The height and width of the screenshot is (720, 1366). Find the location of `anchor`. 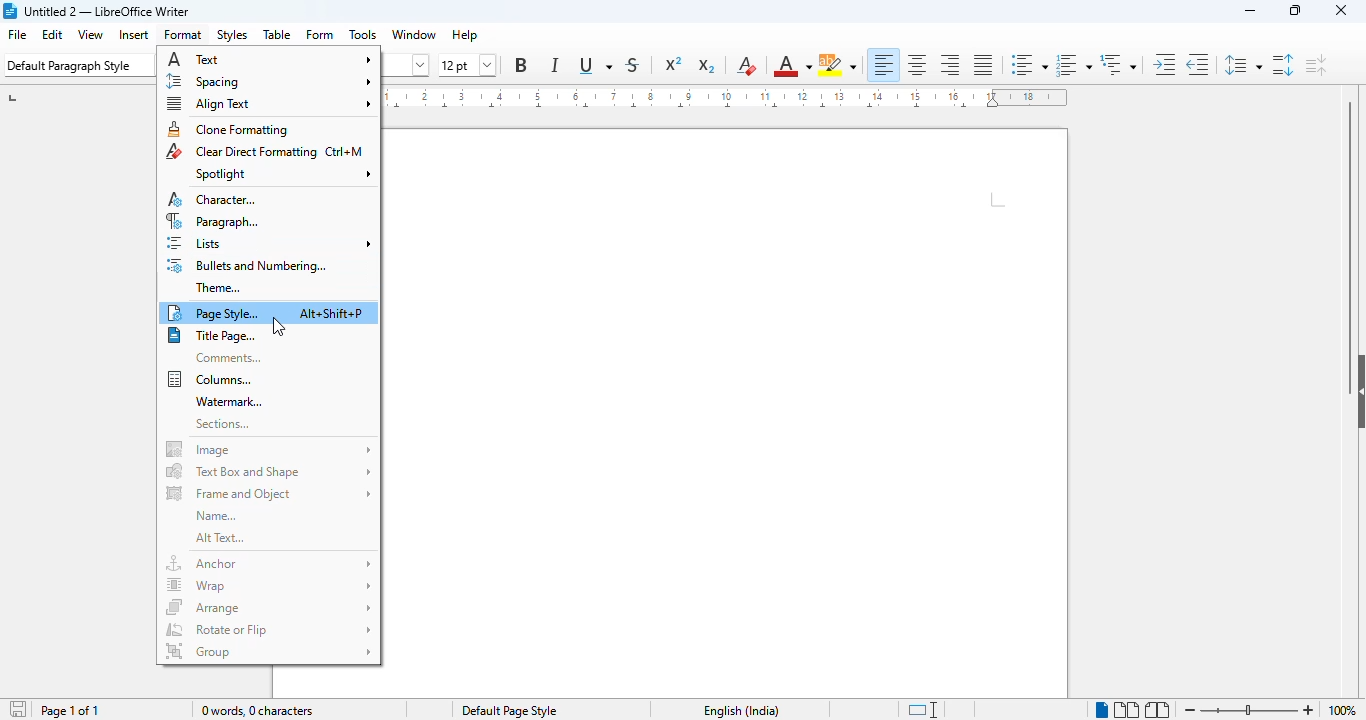

anchor is located at coordinates (269, 565).